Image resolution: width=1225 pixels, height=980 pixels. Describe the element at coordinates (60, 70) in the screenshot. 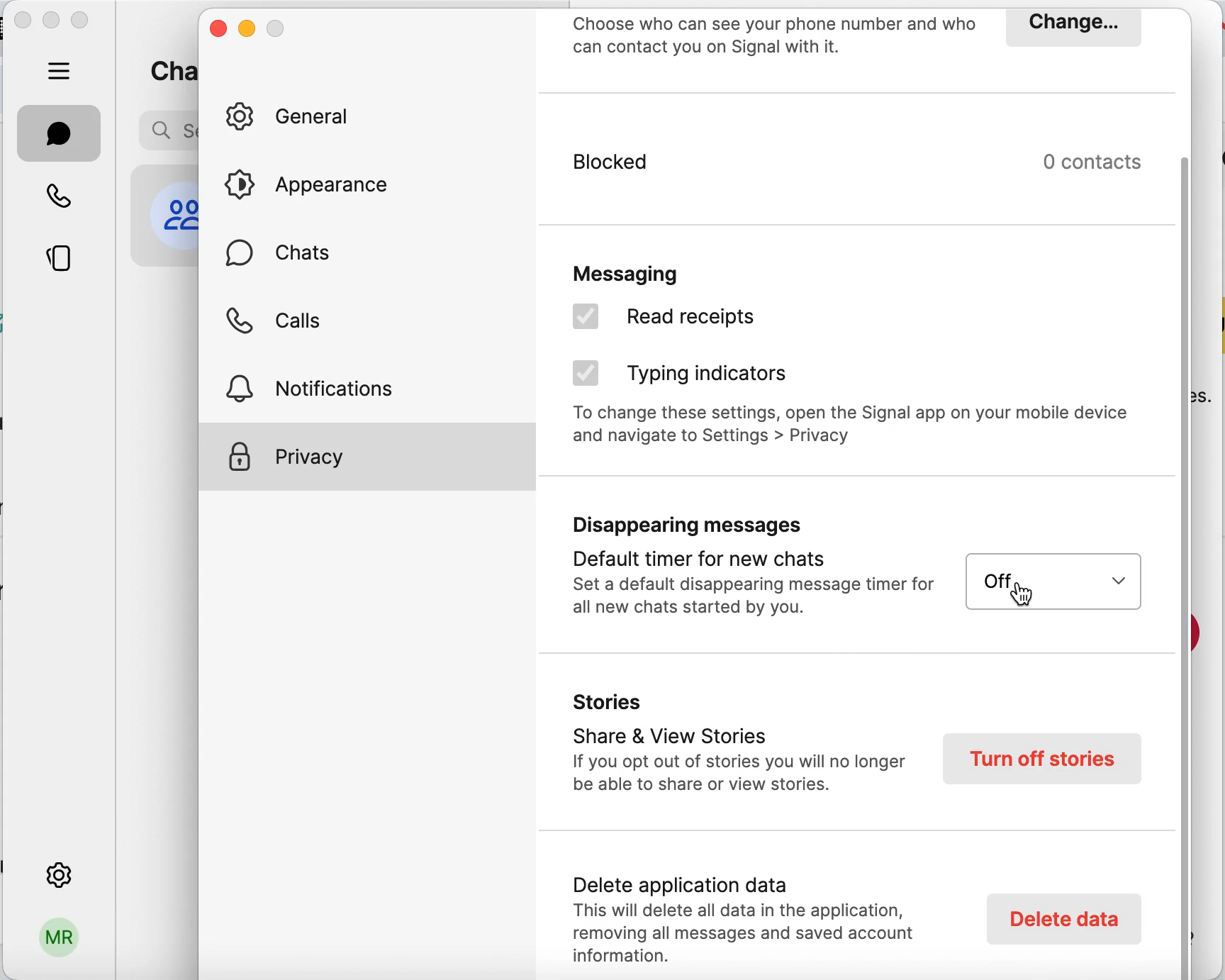

I see `hide tabs` at that location.